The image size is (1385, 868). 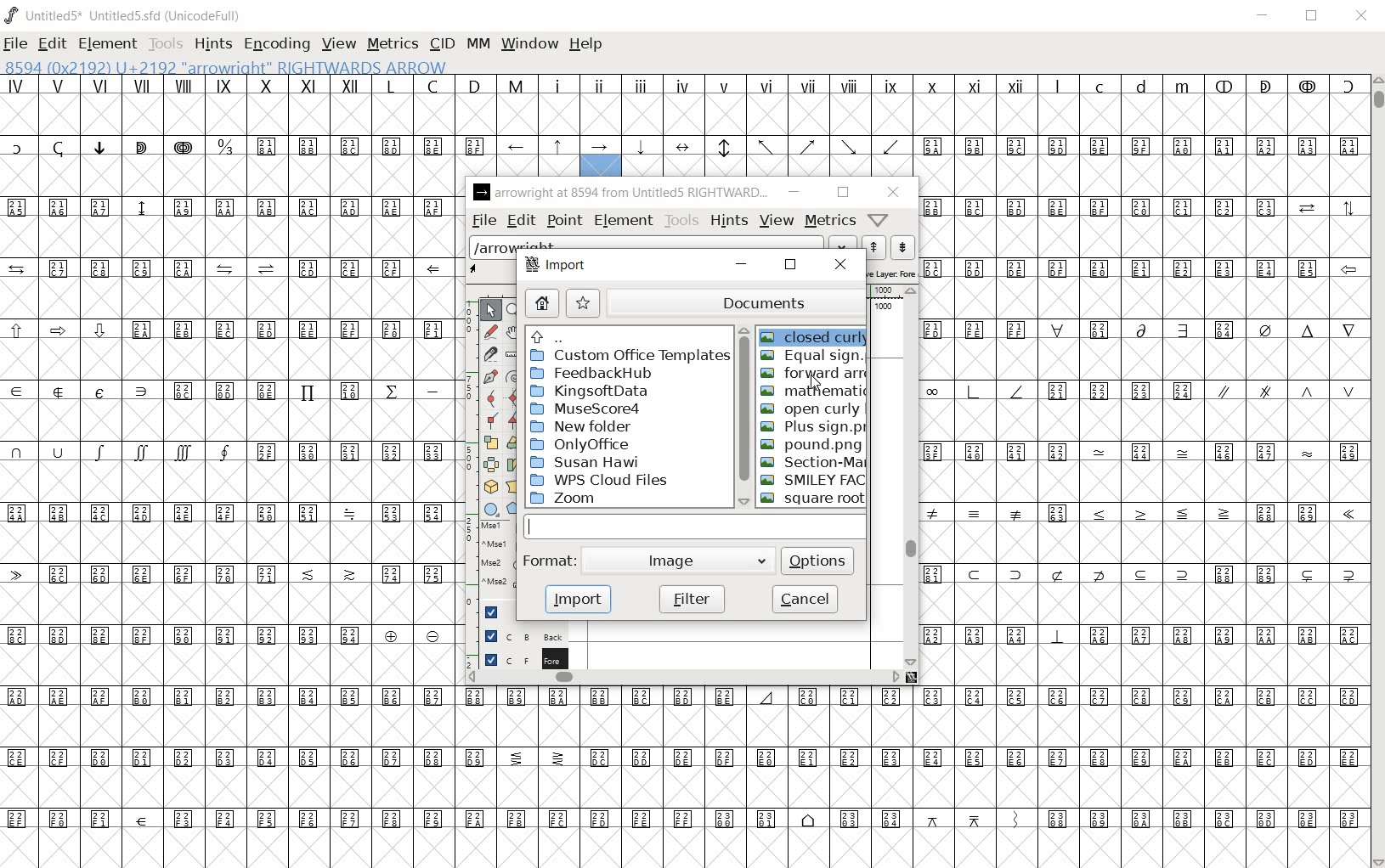 What do you see at coordinates (911, 807) in the screenshot?
I see `glyph characters` at bounding box center [911, 807].